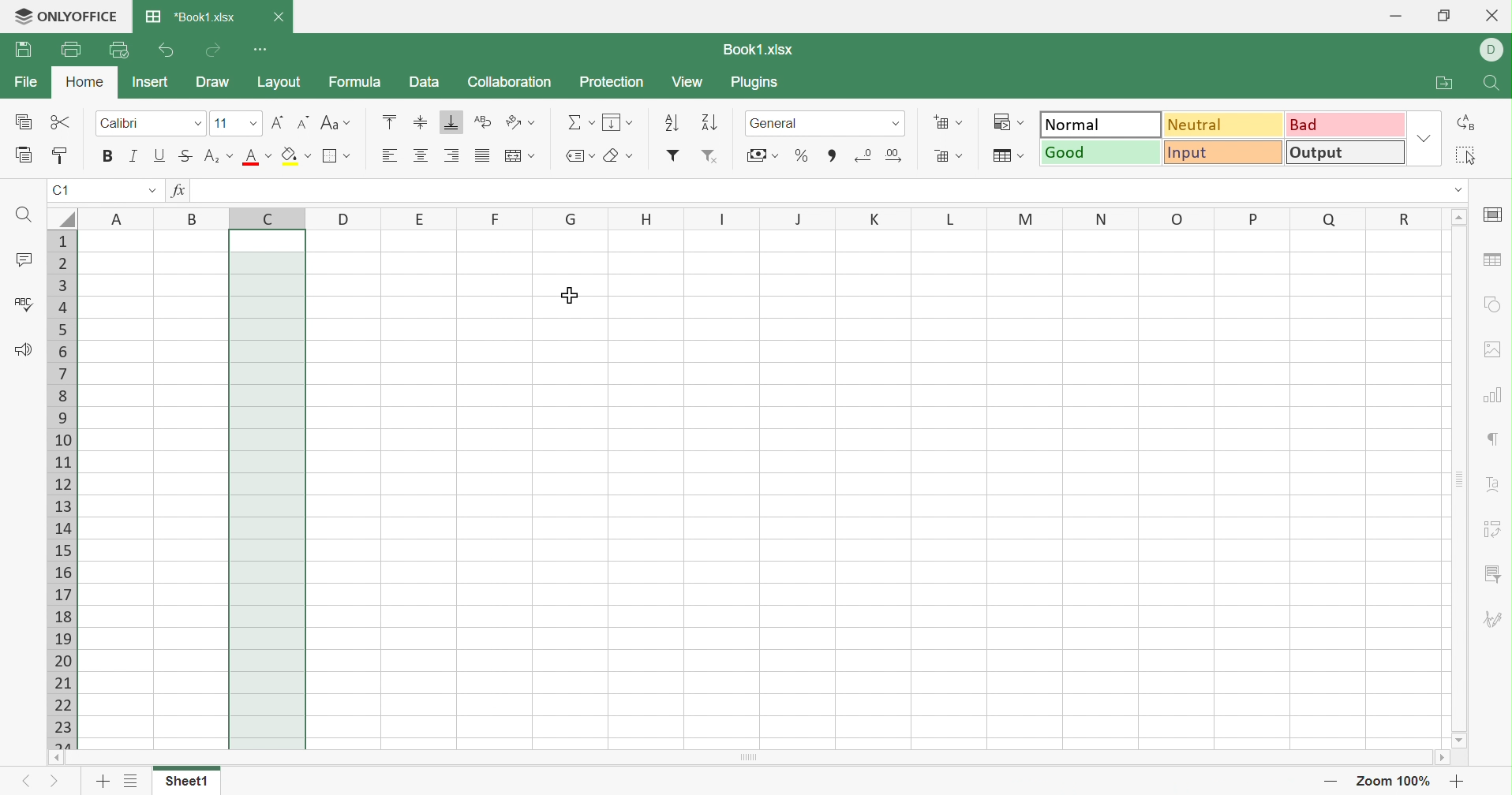 This screenshot has height=795, width=1512. What do you see at coordinates (213, 50) in the screenshot?
I see `Redo` at bounding box center [213, 50].